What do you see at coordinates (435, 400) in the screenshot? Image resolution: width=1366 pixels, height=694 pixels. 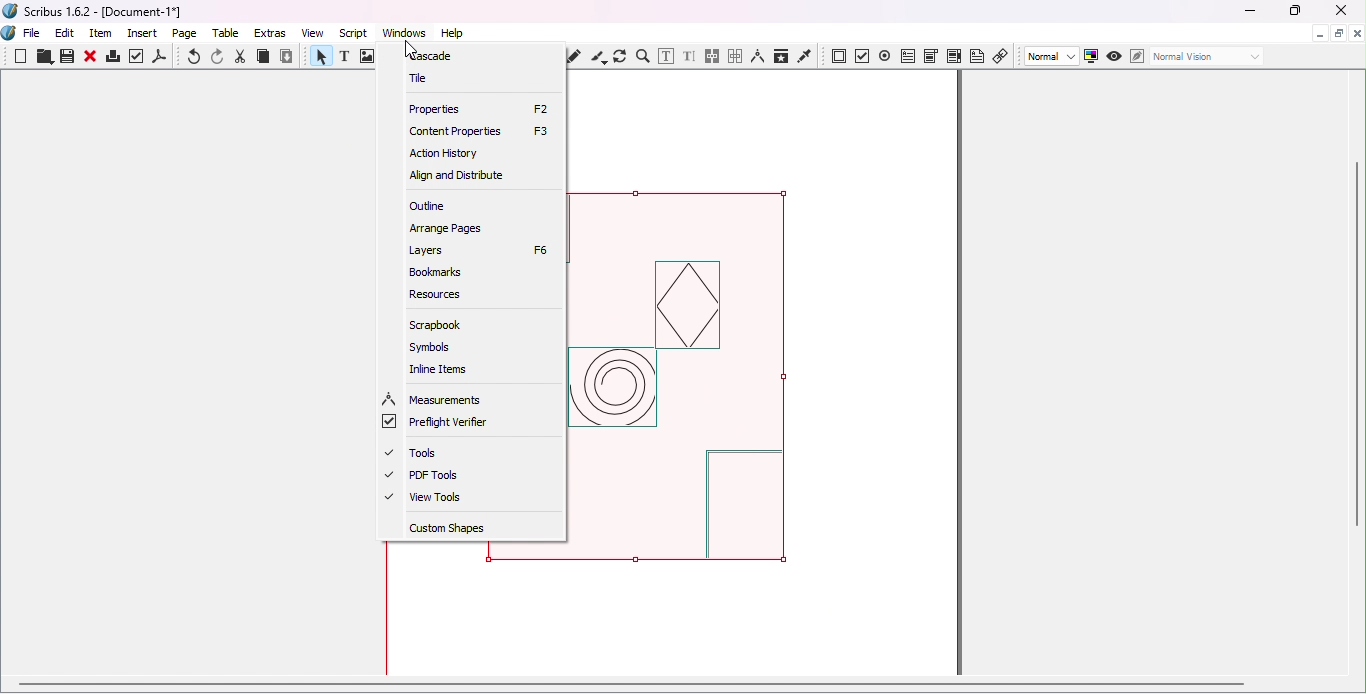 I see `Measurements` at bounding box center [435, 400].